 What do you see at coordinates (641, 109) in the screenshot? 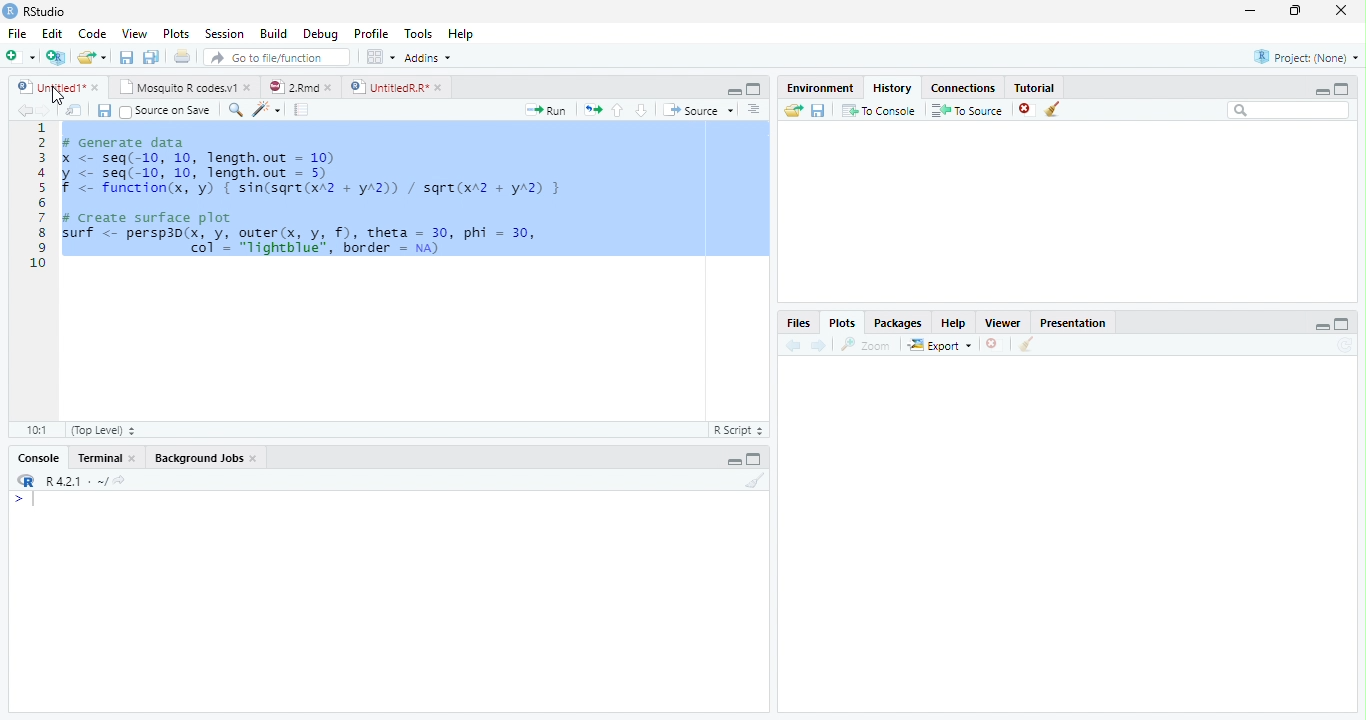
I see `Go to next section/chunk` at bounding box center [641, 109].